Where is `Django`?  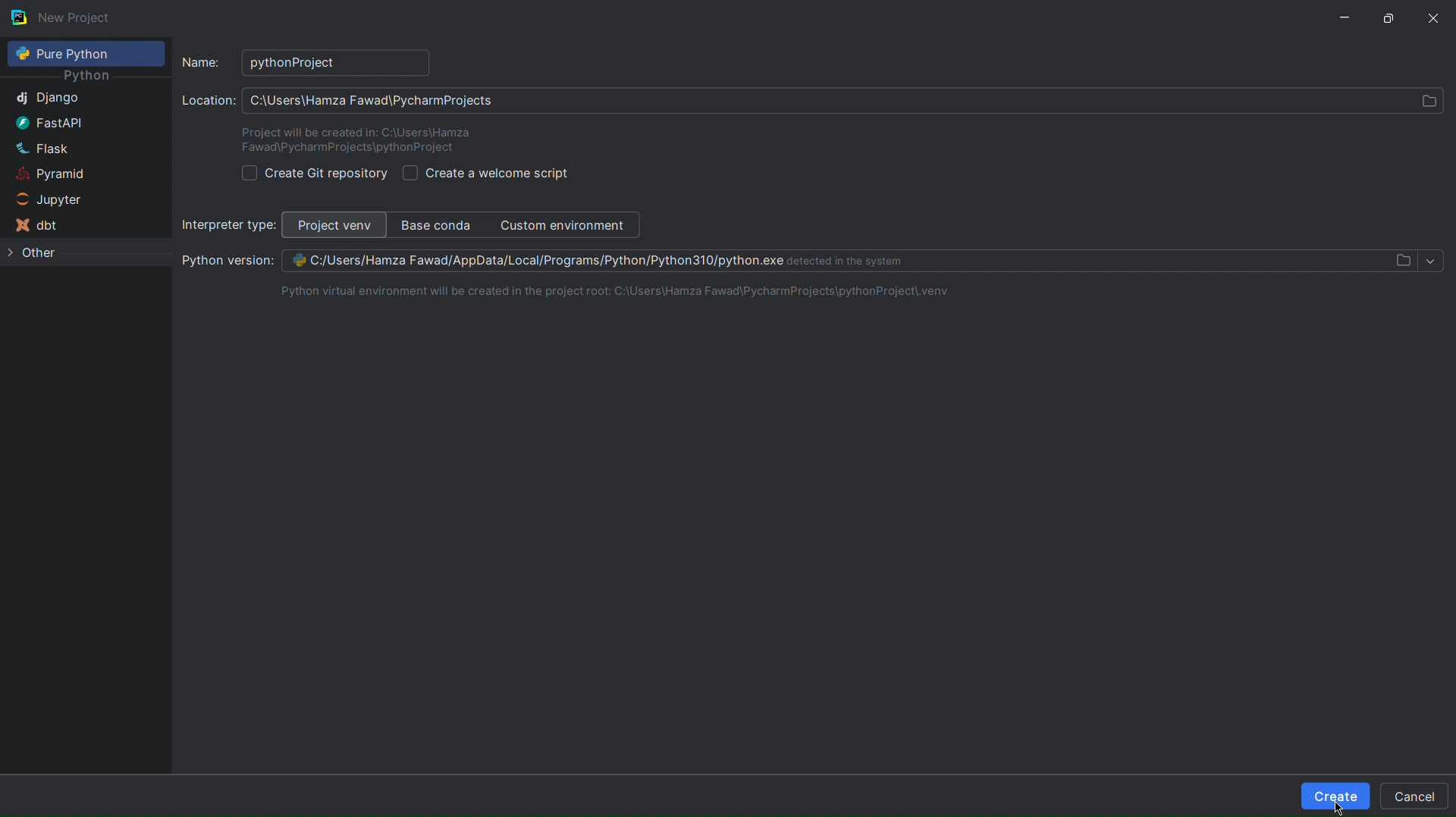
Django is located at coordinates (46, 99).